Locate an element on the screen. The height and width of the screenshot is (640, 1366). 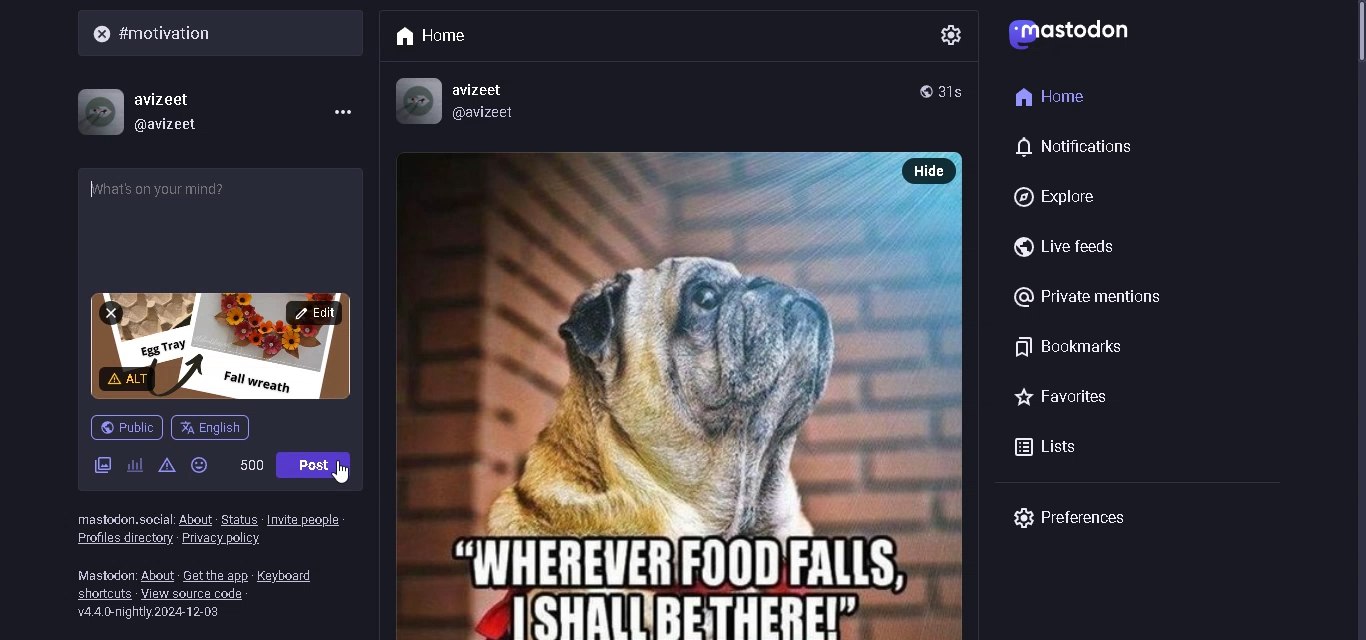
HOME TAB is located at coordinates (439, 33).